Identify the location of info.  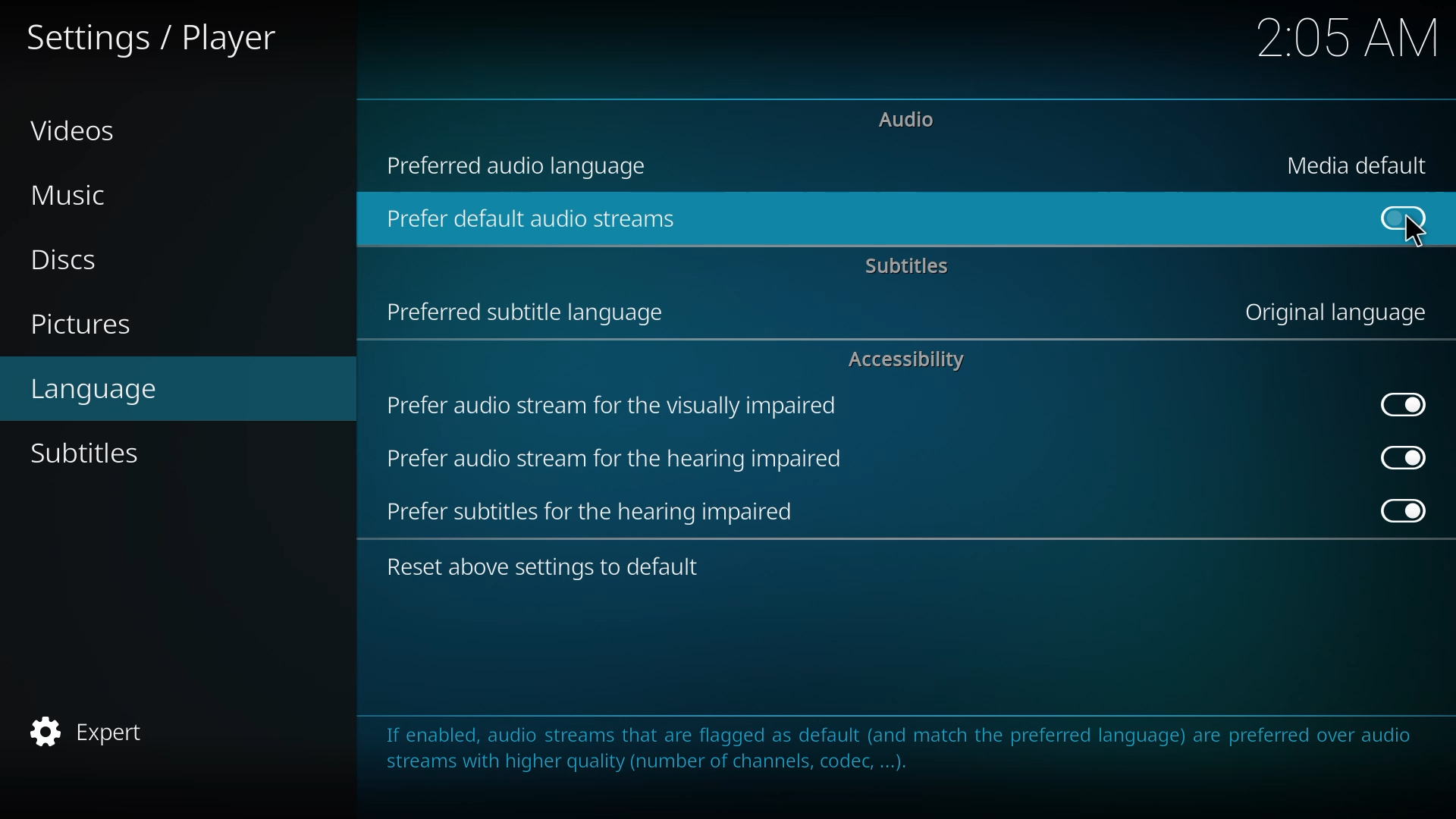
(896, 756).